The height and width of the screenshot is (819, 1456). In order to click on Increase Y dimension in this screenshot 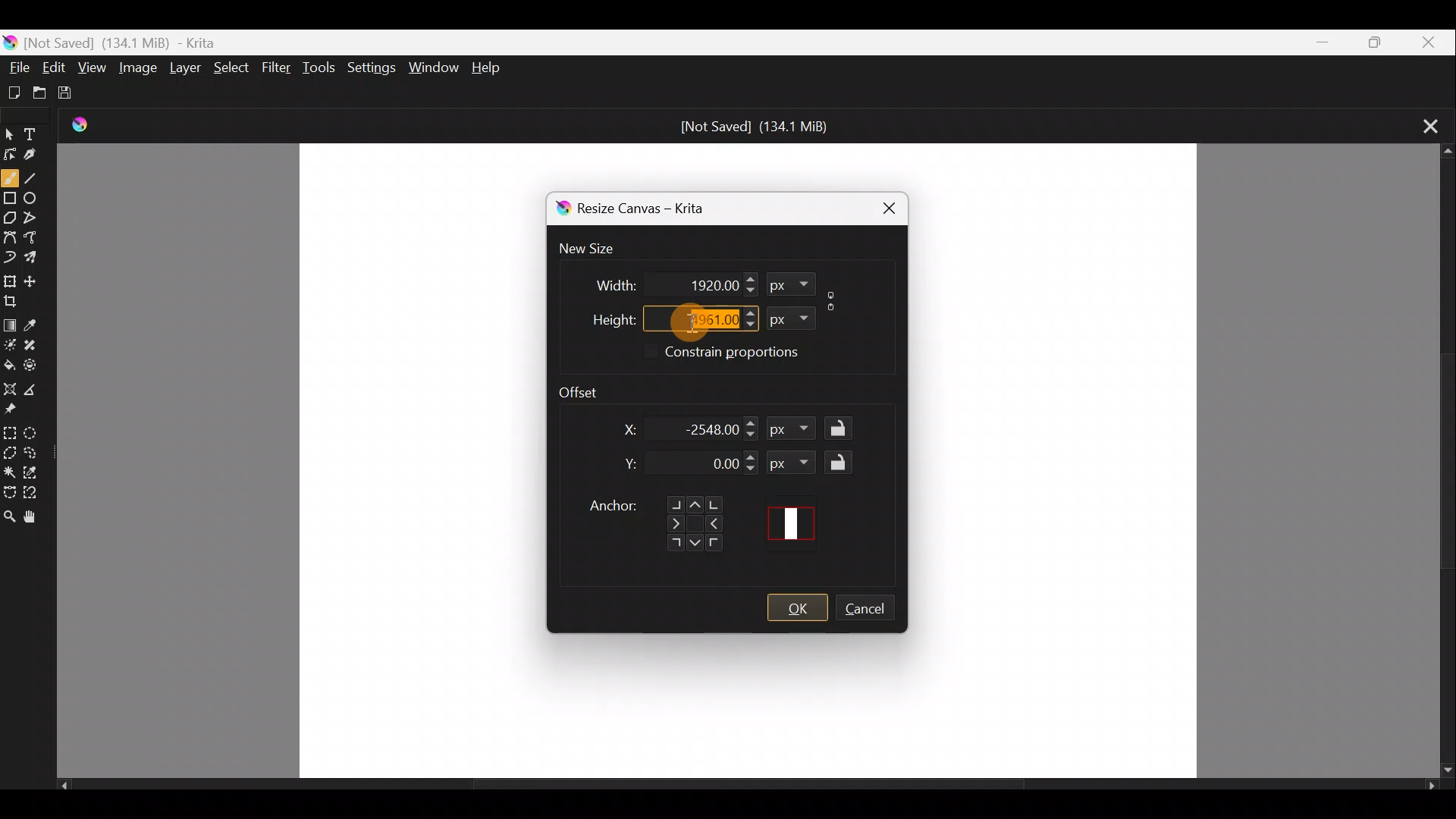, I will do `click(752, 457)`.